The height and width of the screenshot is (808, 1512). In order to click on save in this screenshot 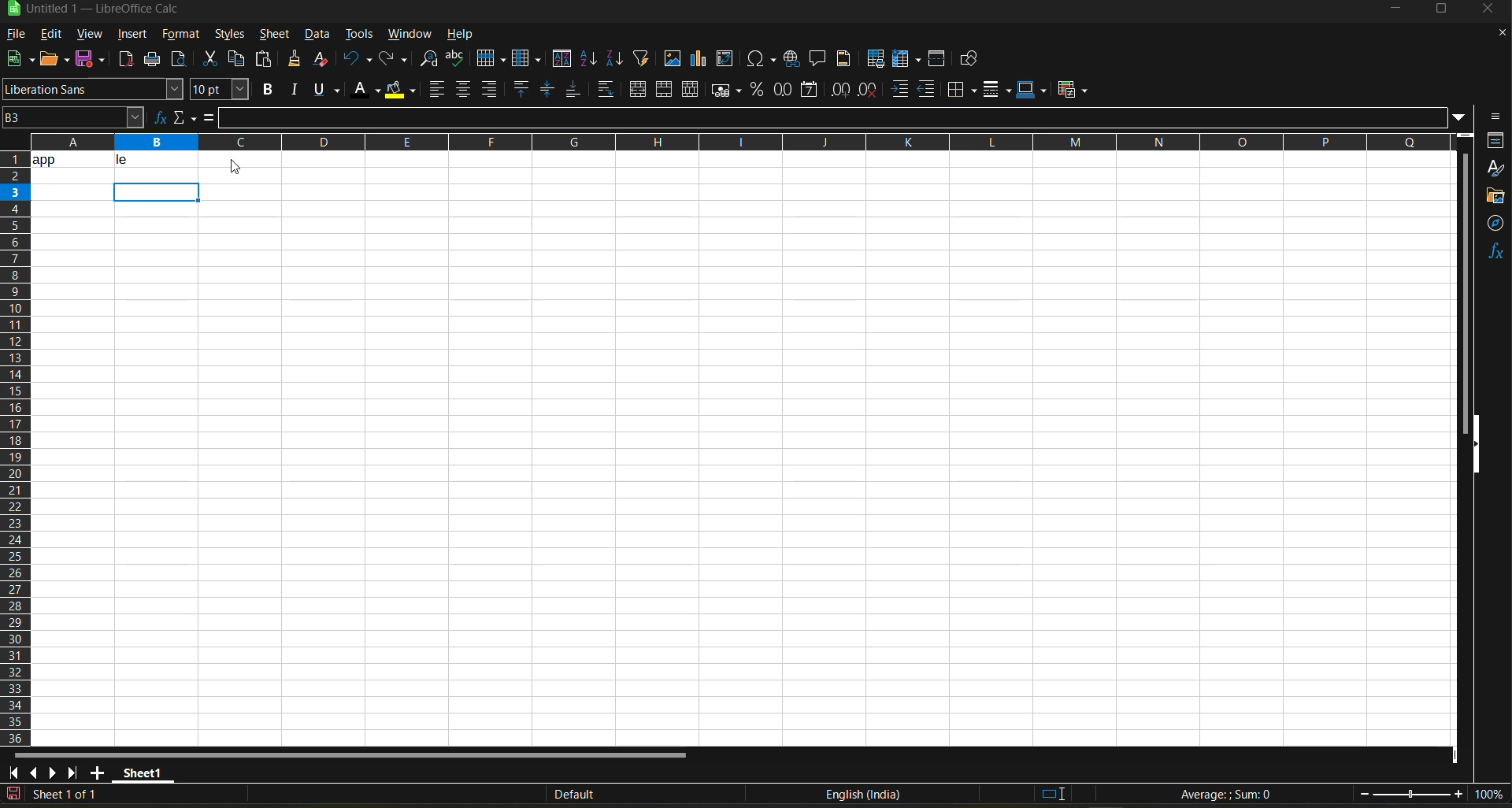, I will do `click(93, 57)`.